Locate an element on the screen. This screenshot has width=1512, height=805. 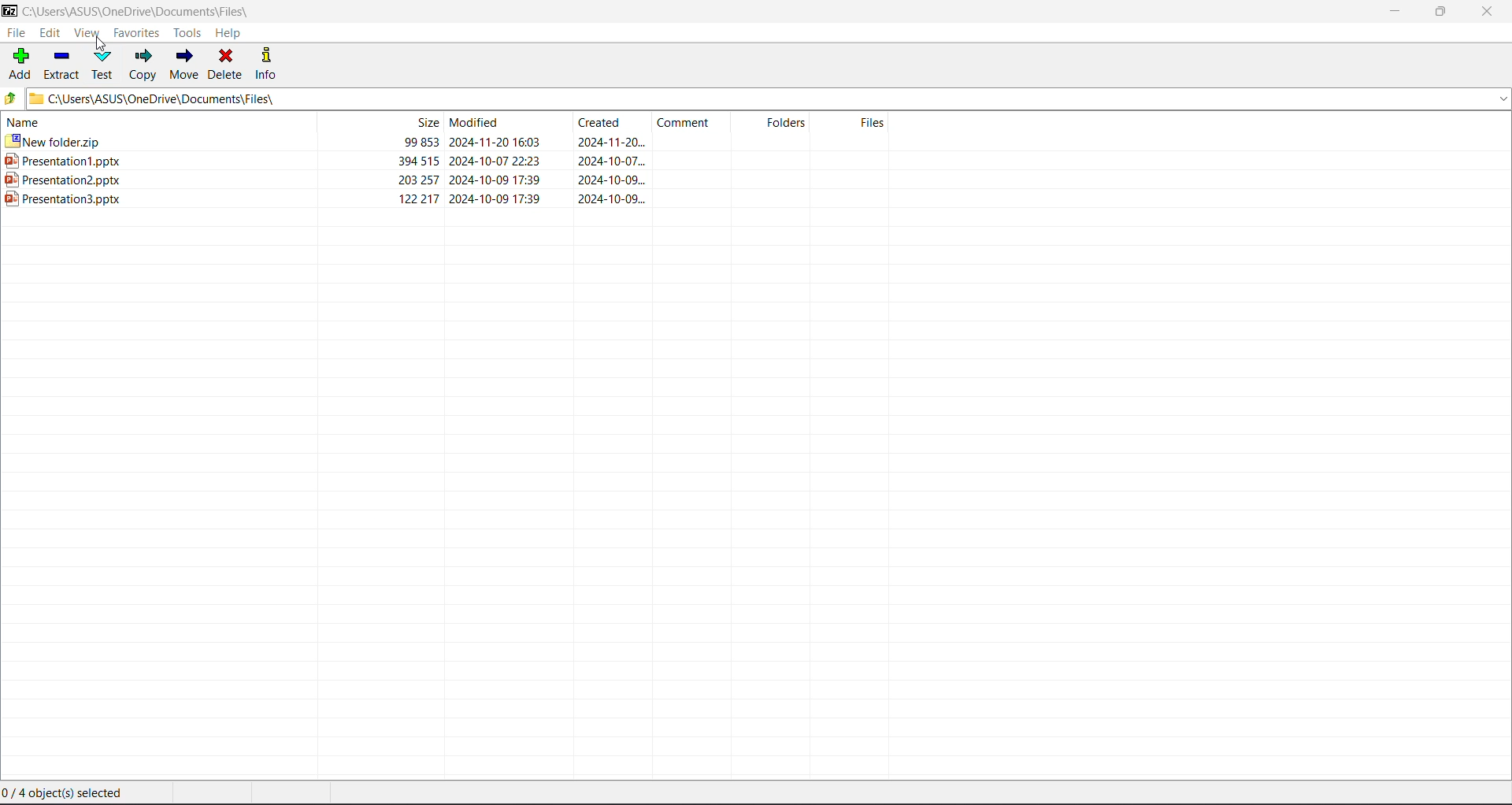
folders is located at coordinates (771, 121).